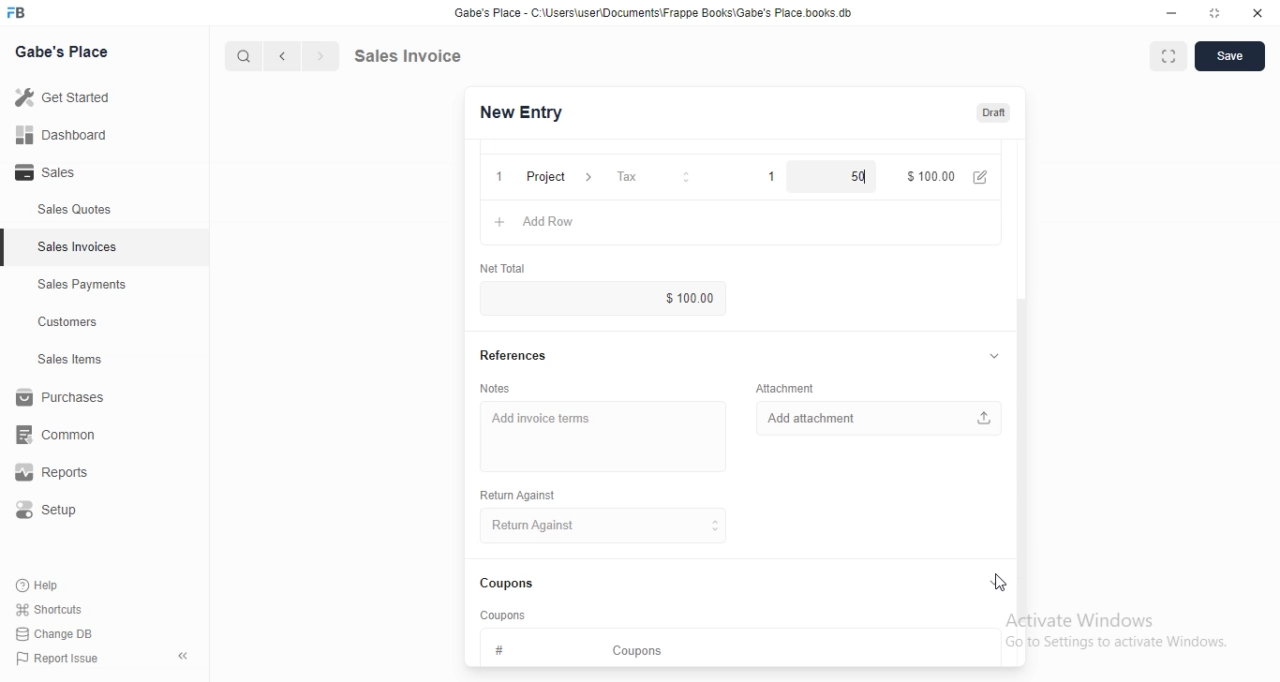 The width and height of the screenshot is (1280, 682). I want to click on all Dashboard, so click(69, 141).